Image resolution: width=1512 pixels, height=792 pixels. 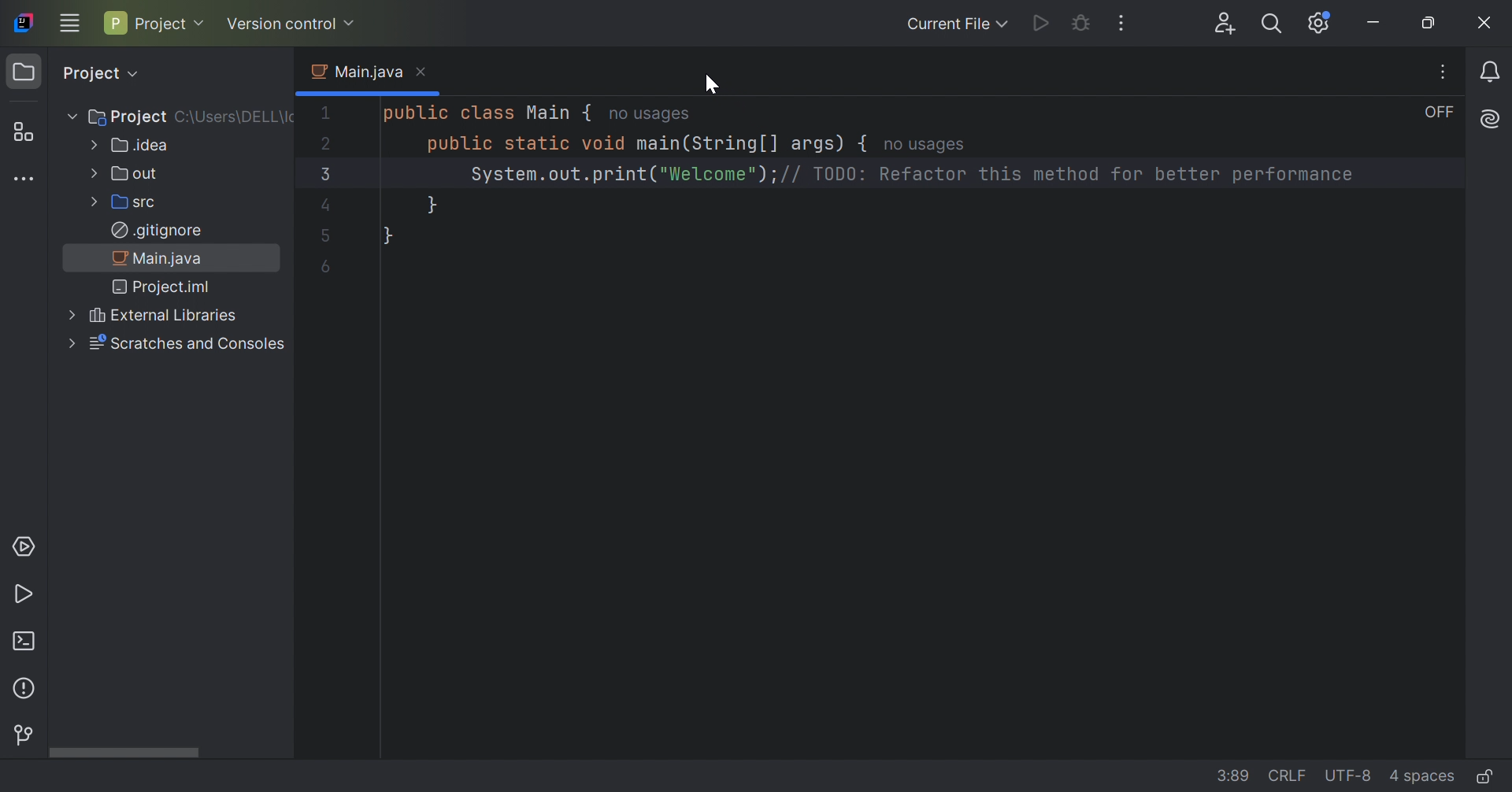 What do you see at coordinates (124, 174) in the screenshot?
I see `Out` at bounding box center [124, 174].